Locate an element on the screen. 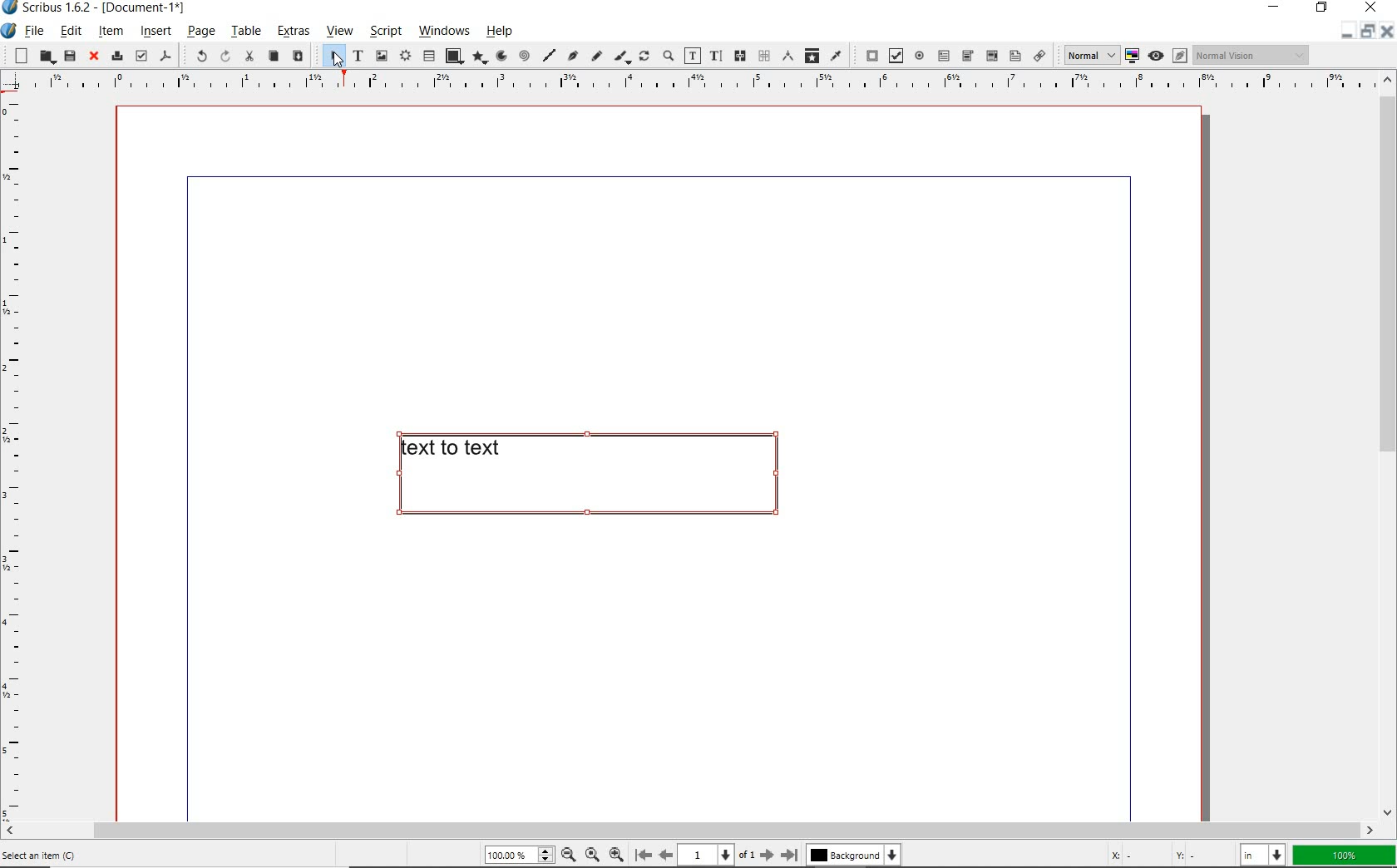 The image size is (1397, 868). save as pdf is located at coordinates (166, 57).